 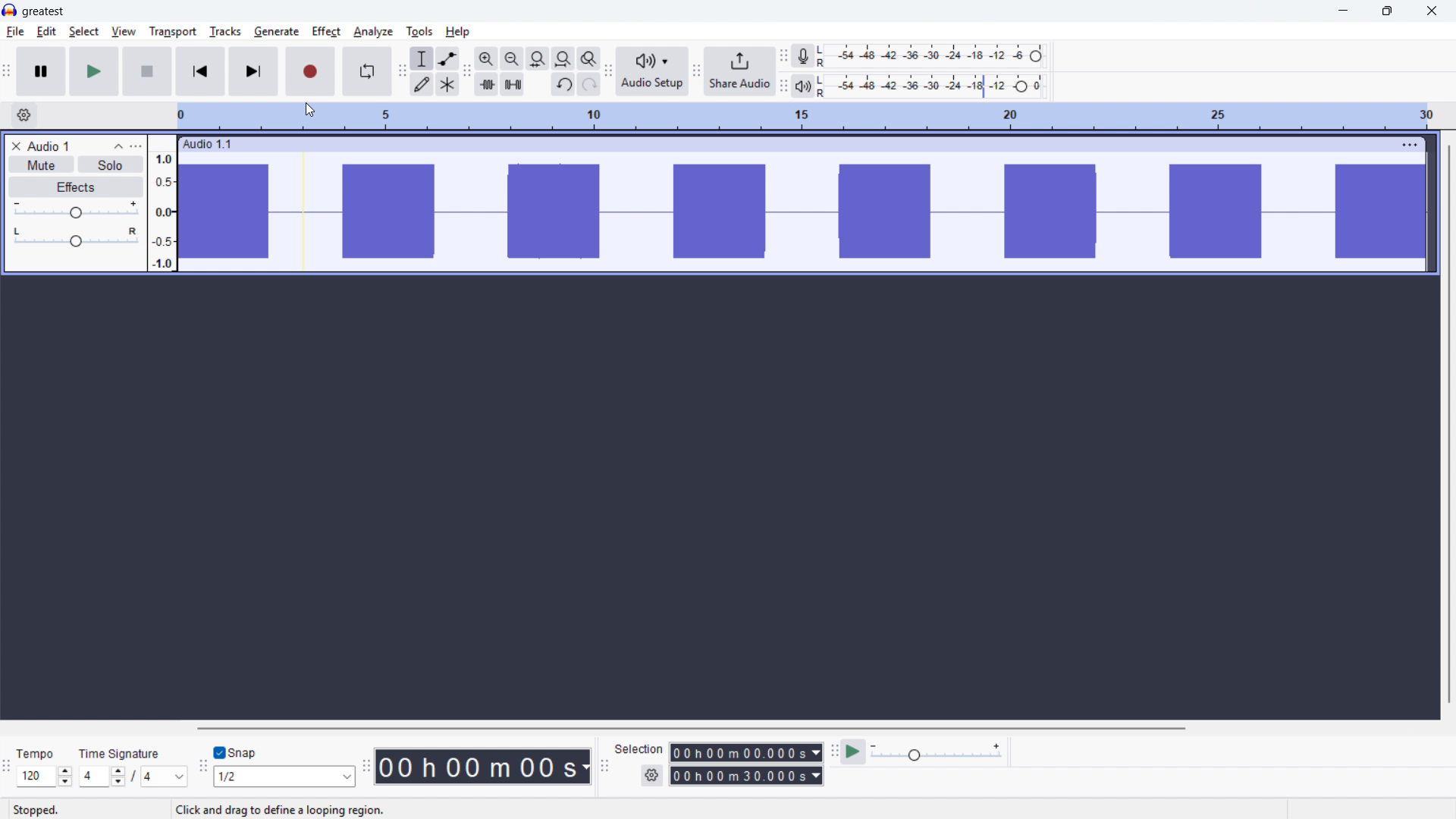 What do you see at coordinates (653, 72) in the screenshot?
I see `audio setup` at bounding box center [653, 72].